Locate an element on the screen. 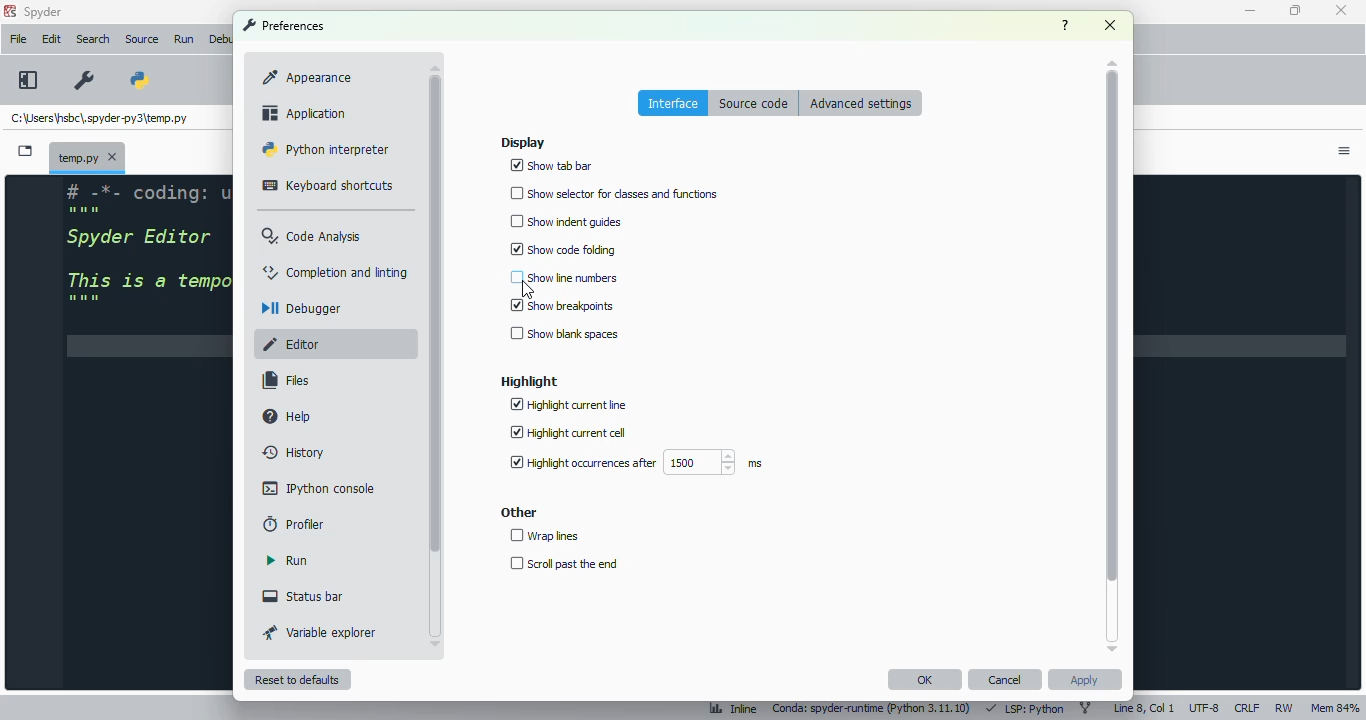 The image size is (1366, 720). python interpreter is located at coordinates (326, 149).